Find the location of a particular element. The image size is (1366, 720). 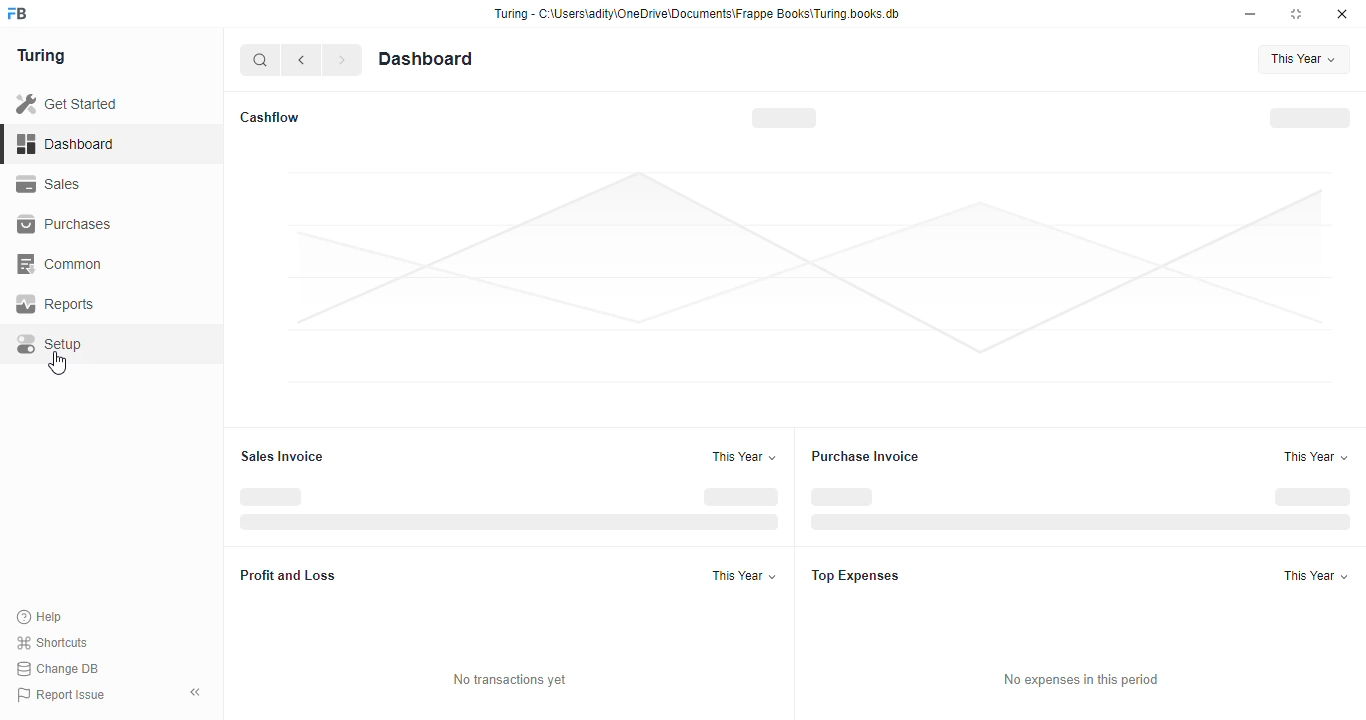

Turing is located at coordinates (47, 56).